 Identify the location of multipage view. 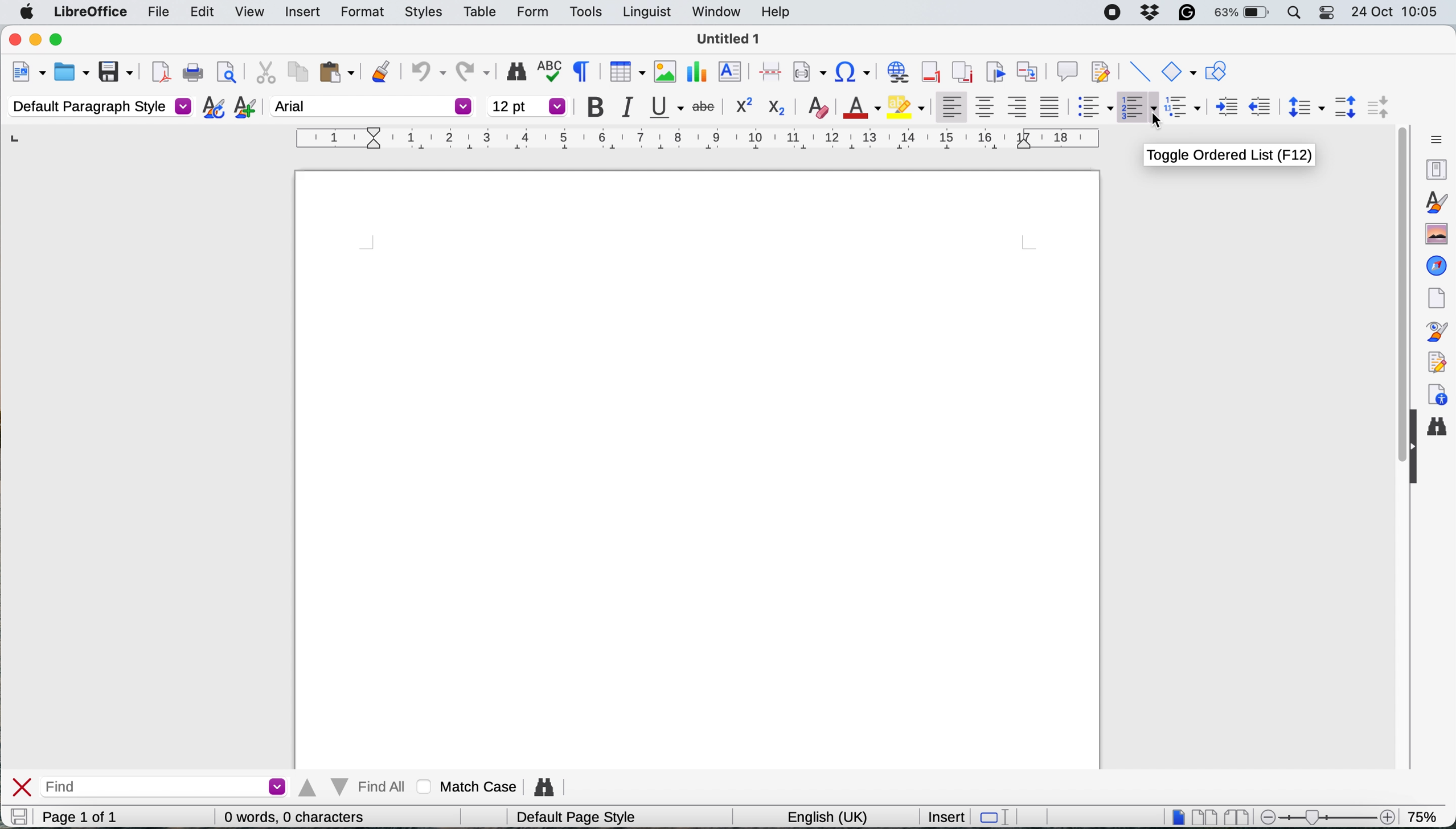
(1206, 817).